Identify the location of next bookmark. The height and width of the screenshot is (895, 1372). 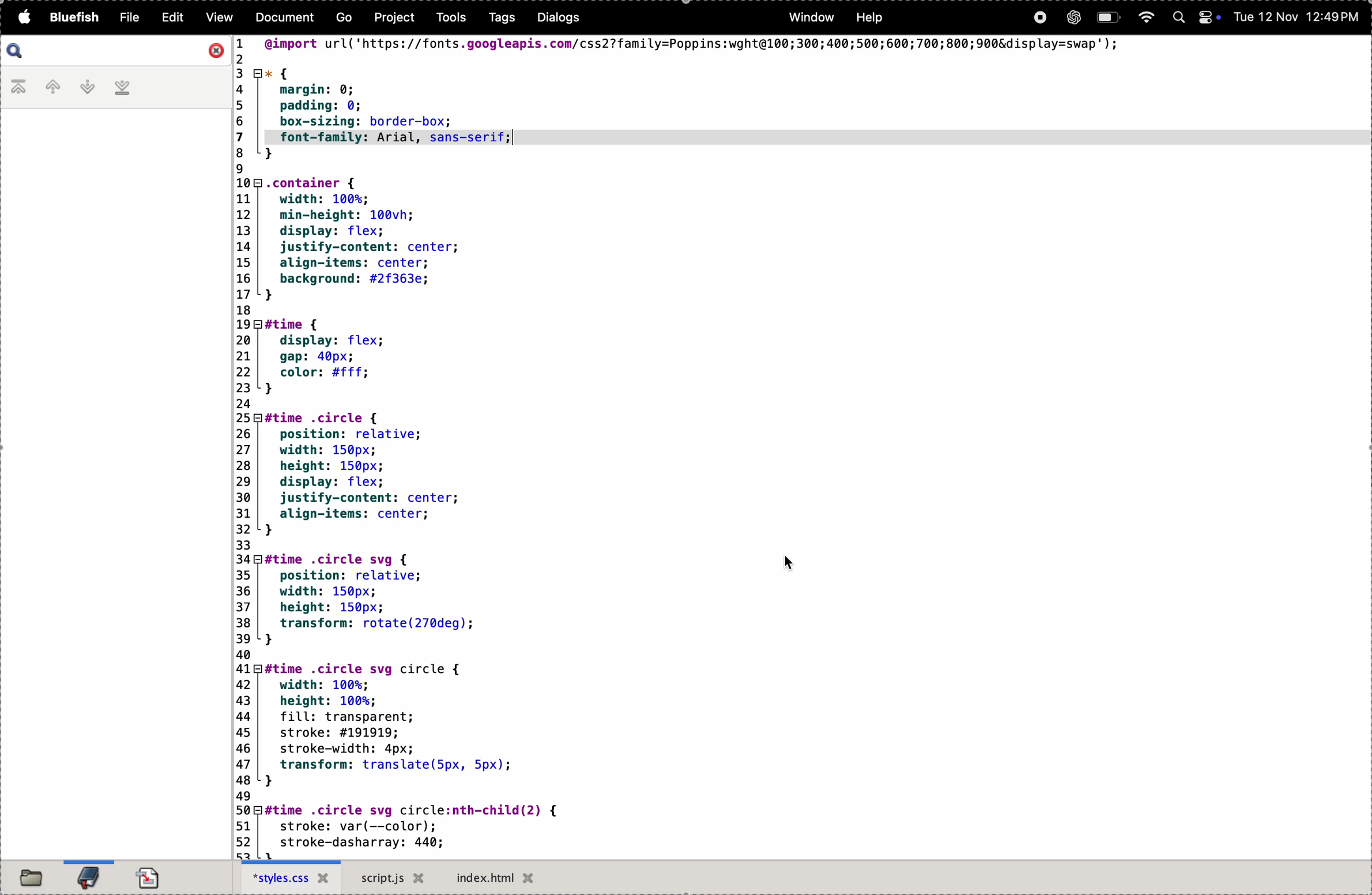
(89, 87).